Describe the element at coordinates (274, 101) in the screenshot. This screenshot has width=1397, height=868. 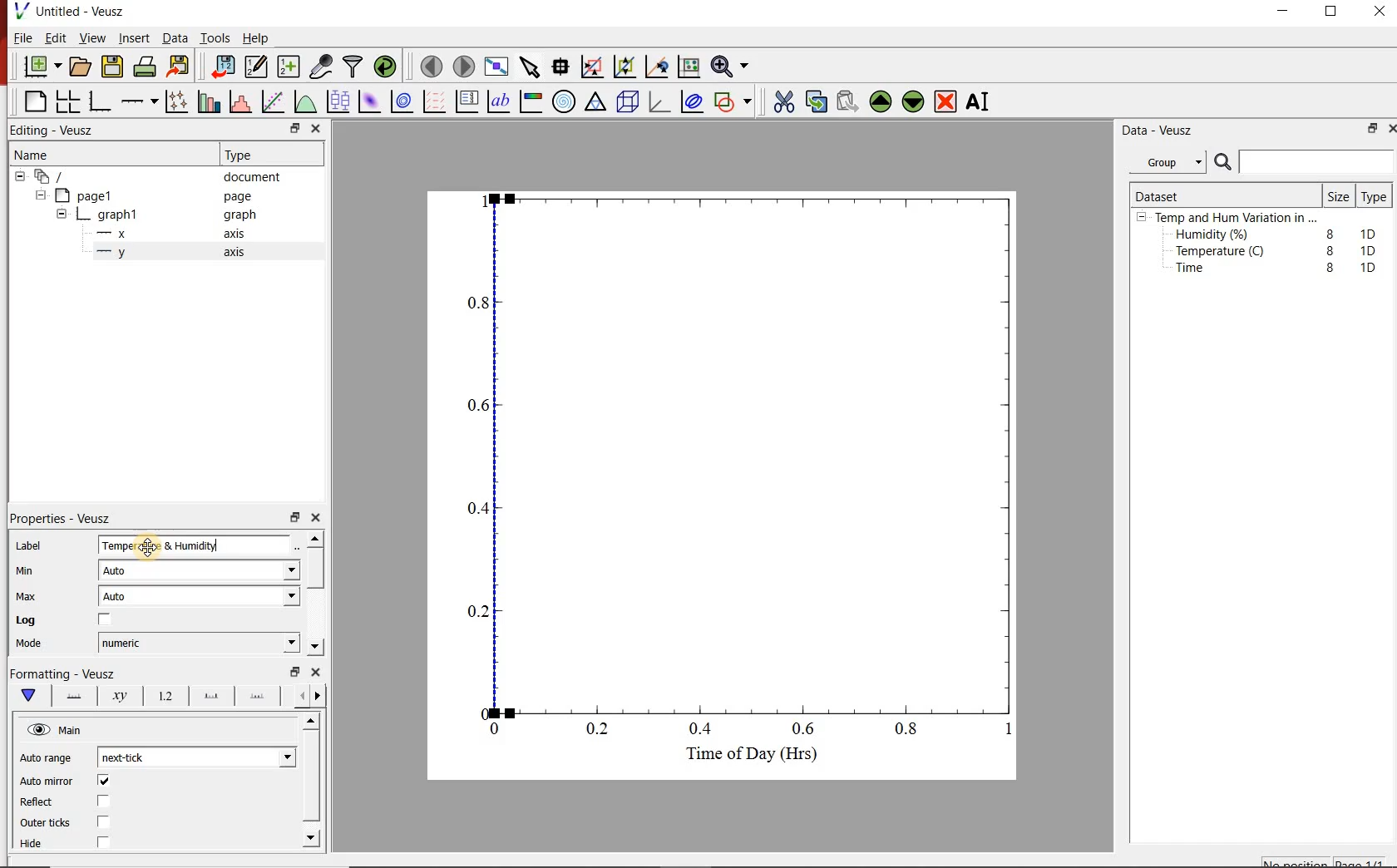
I see `Fit a function to data` at that location.